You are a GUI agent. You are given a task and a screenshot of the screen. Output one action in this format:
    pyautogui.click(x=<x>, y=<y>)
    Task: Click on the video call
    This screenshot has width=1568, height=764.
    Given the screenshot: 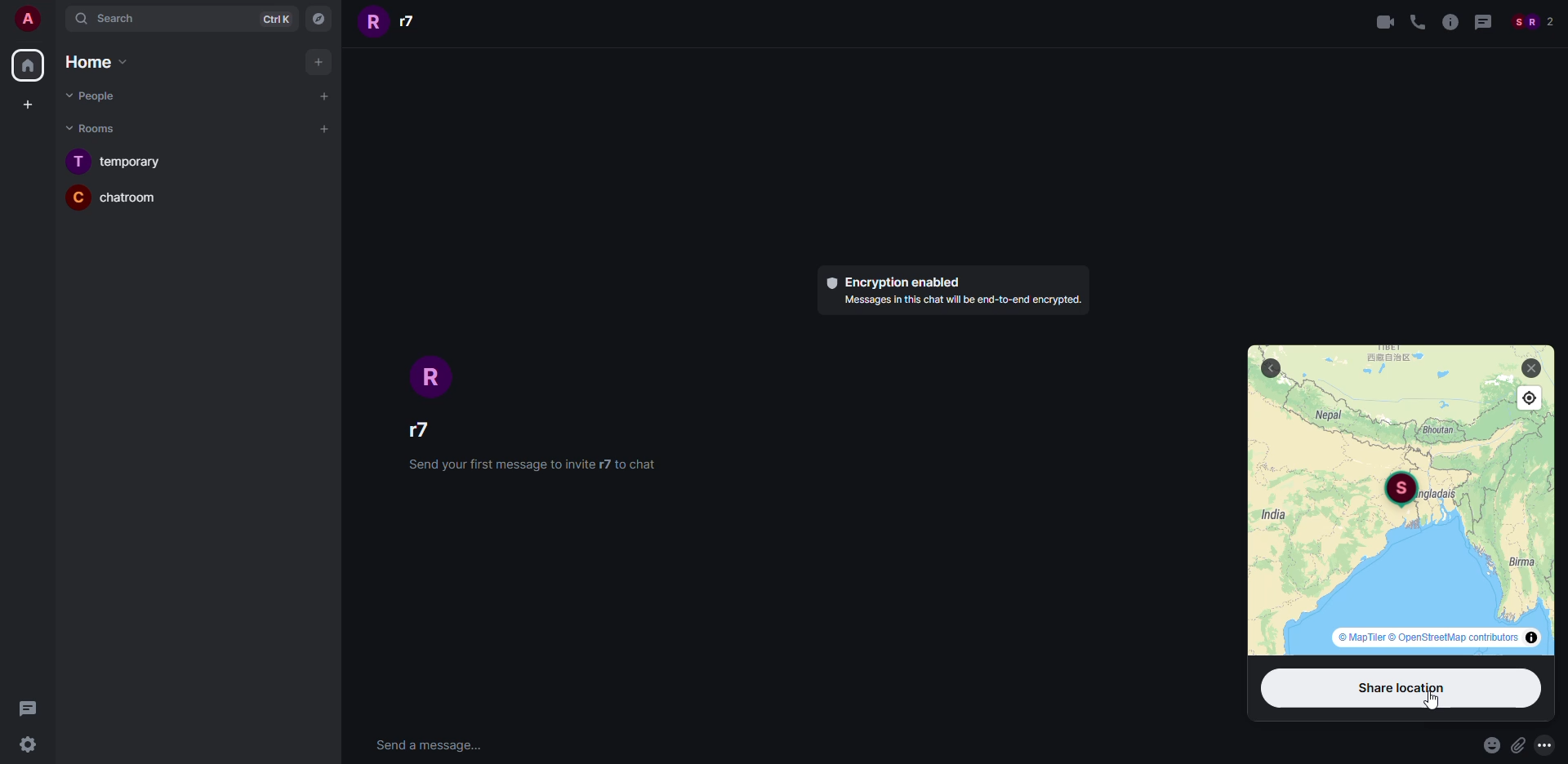 What is the action you would take?
    pyautogui.click(x=1384, y=23)
    